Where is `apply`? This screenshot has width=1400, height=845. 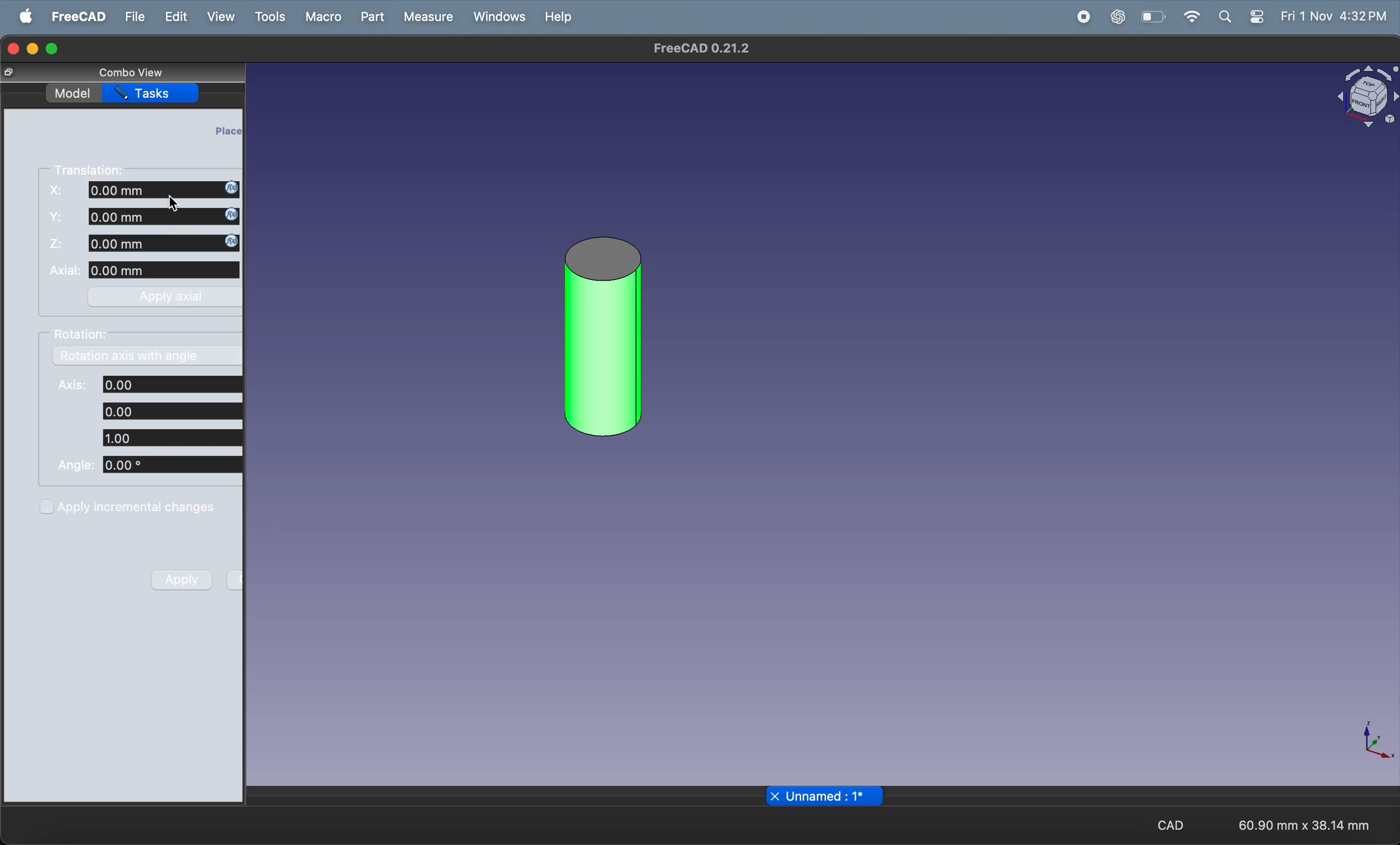 apply is located at coordinates (178, 582).